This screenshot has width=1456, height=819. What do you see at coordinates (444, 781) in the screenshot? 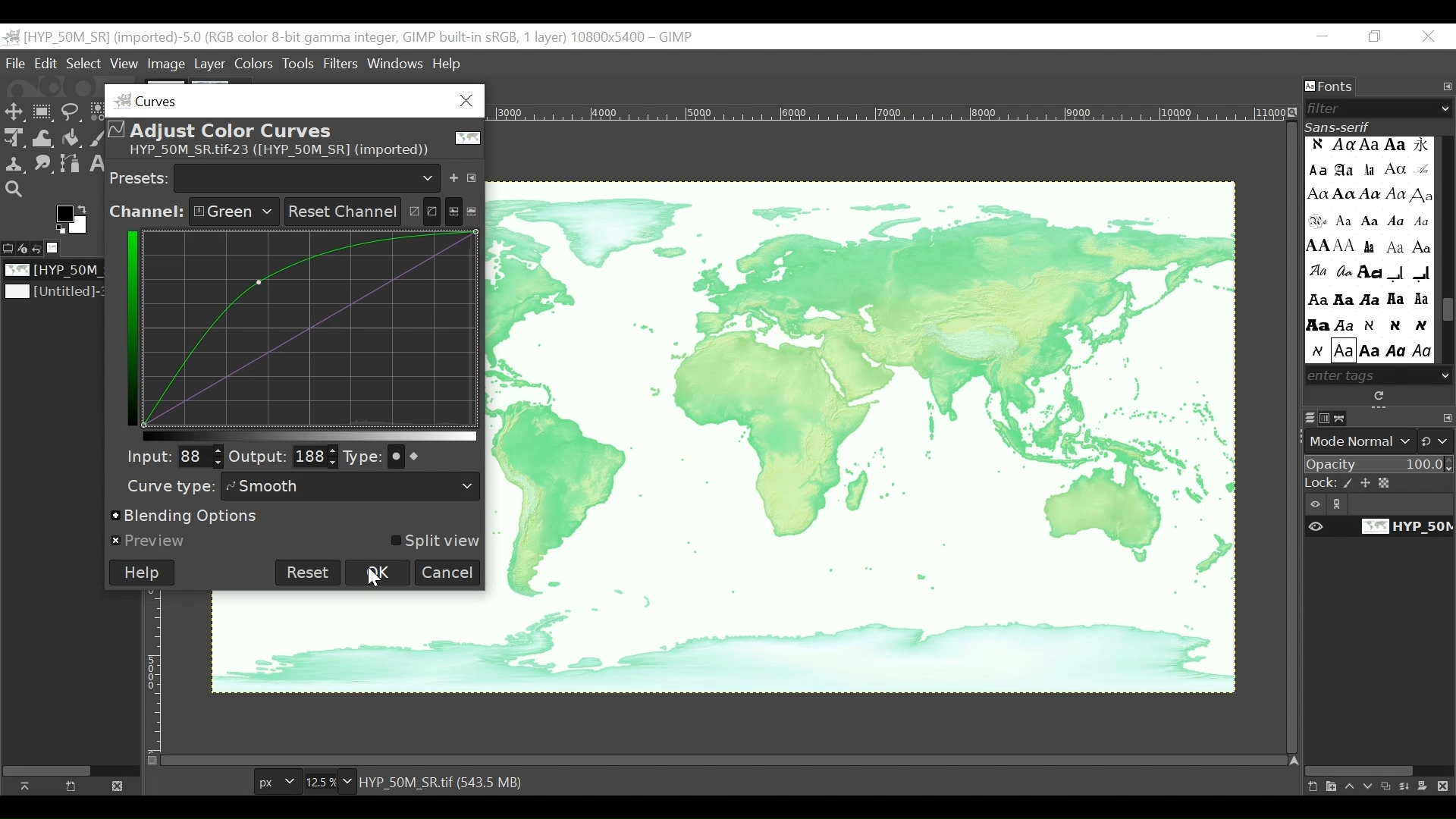
I see `HYP 0M SR TIF (543.5 MB)` at bounding box center [444, 781].